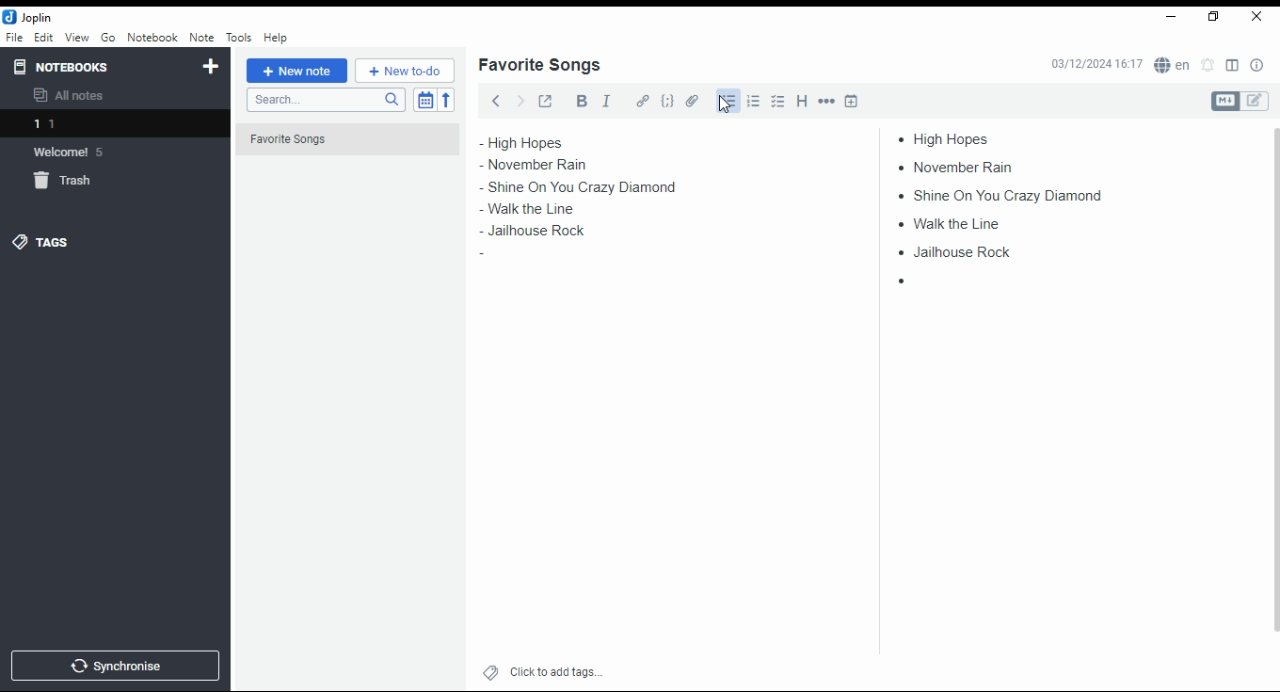  I want to click on trash, so click(74, 184).